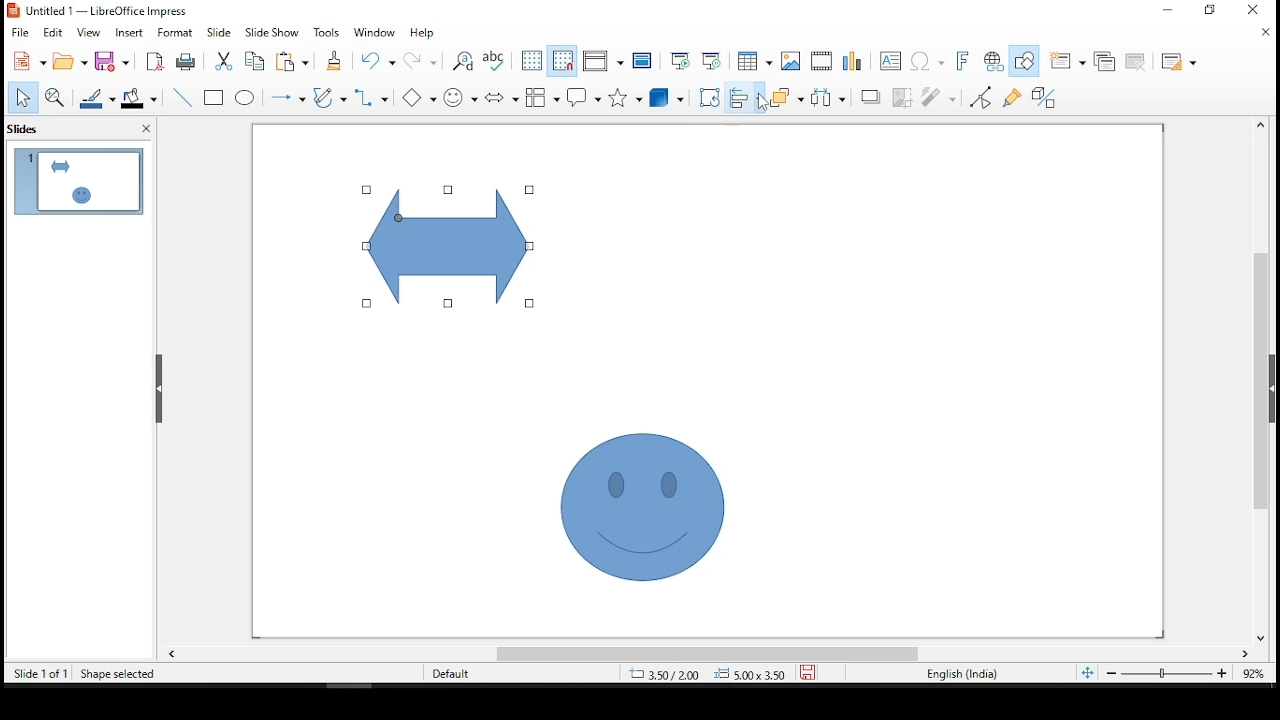 This screenshot has width=1280, height=720. Describe the element at coordinates (1267, 381) in the screenshot. I see `scroll bar` at that location.